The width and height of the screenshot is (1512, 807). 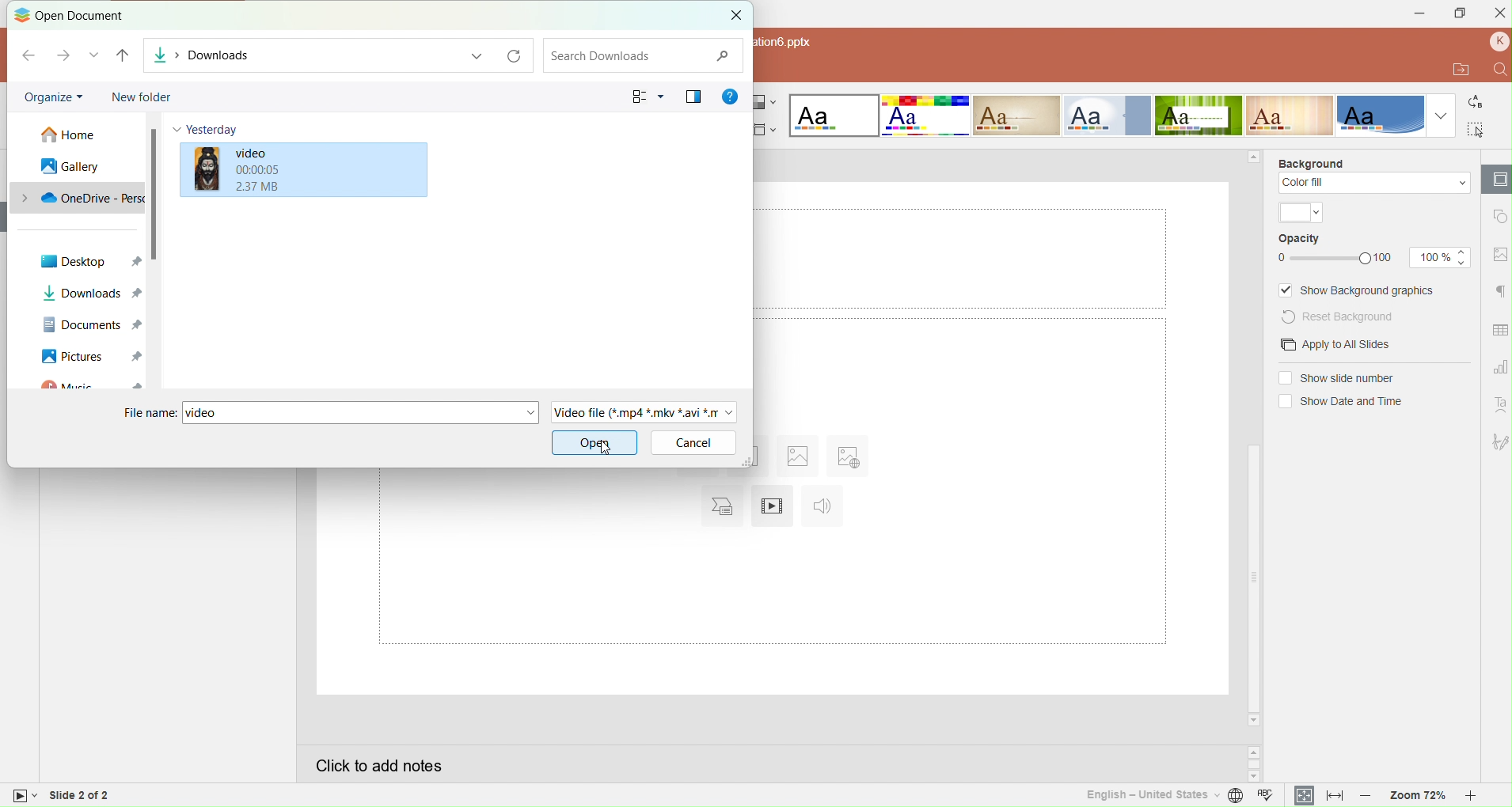 What do you see at coordinates (61, 55) in the screenshot?
I see `Forward` at bounding box center [61, 55].